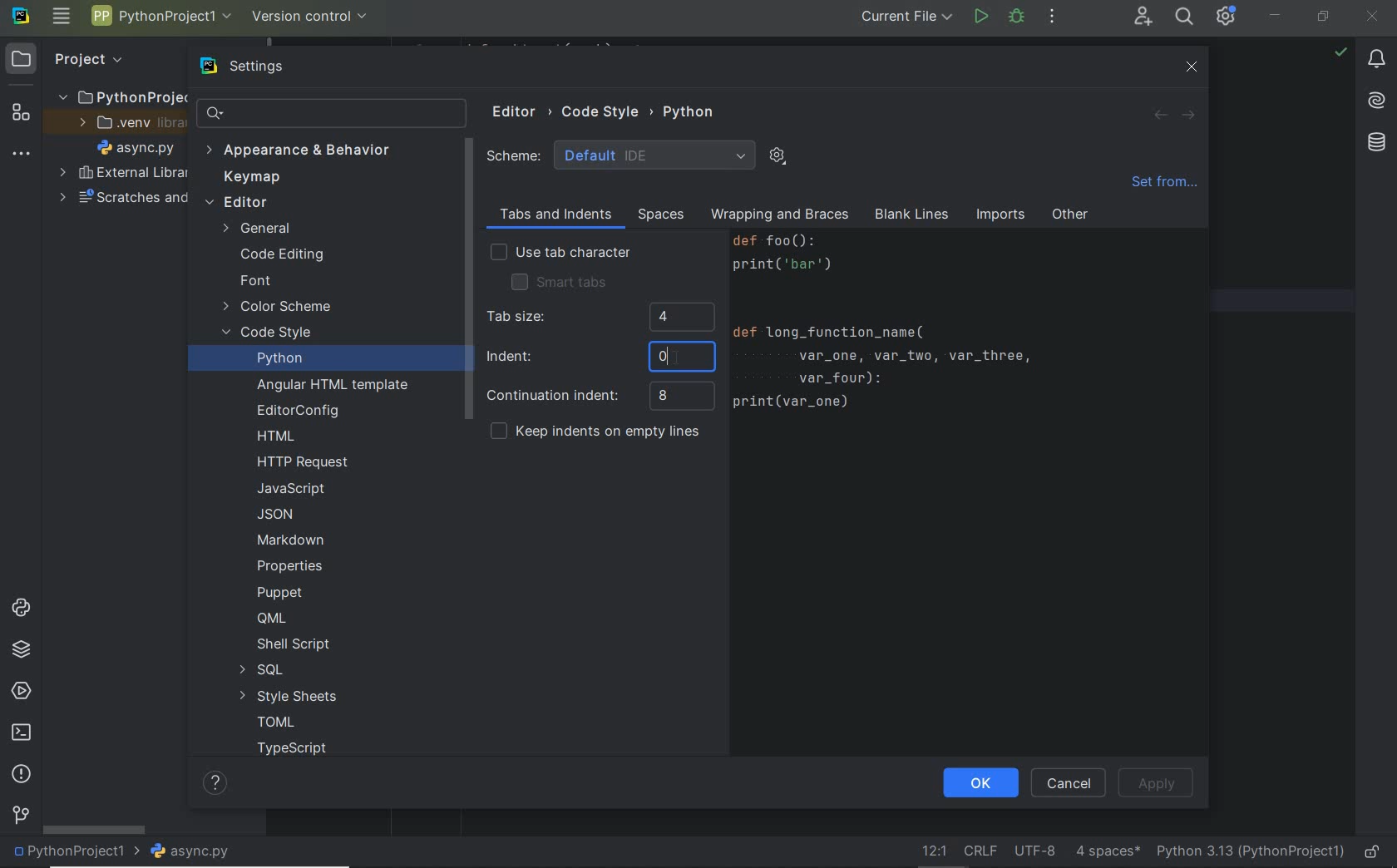 This screenshot has height=868, width=1397. Describe the element at coordinates (136, 148) in the screenshot. I see `project files` at that location.